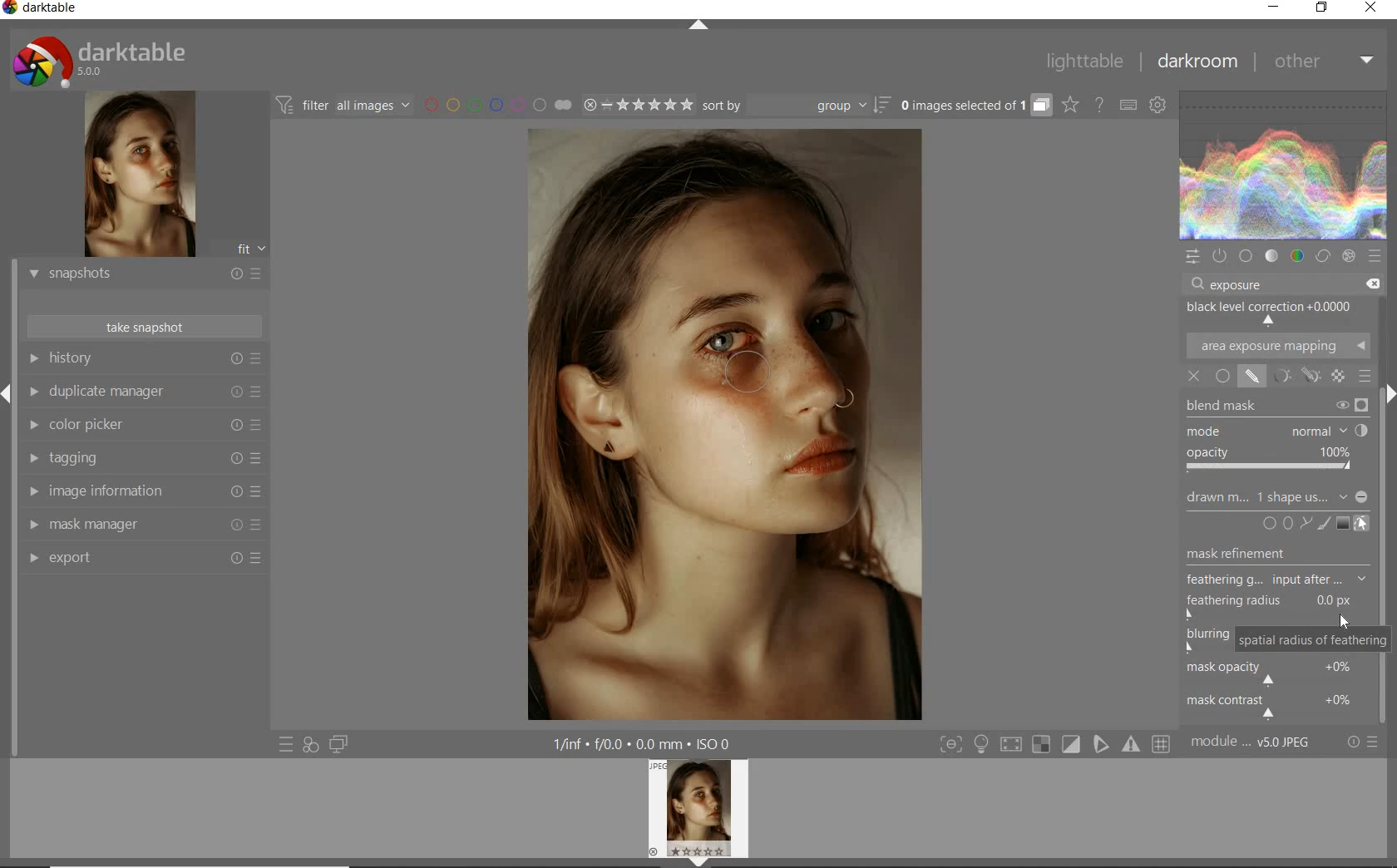  What do you see at coordinates (1276, 603) in the screenshot?
I see `FEATHERING RADIUS` at bounding box center [1276, 603].